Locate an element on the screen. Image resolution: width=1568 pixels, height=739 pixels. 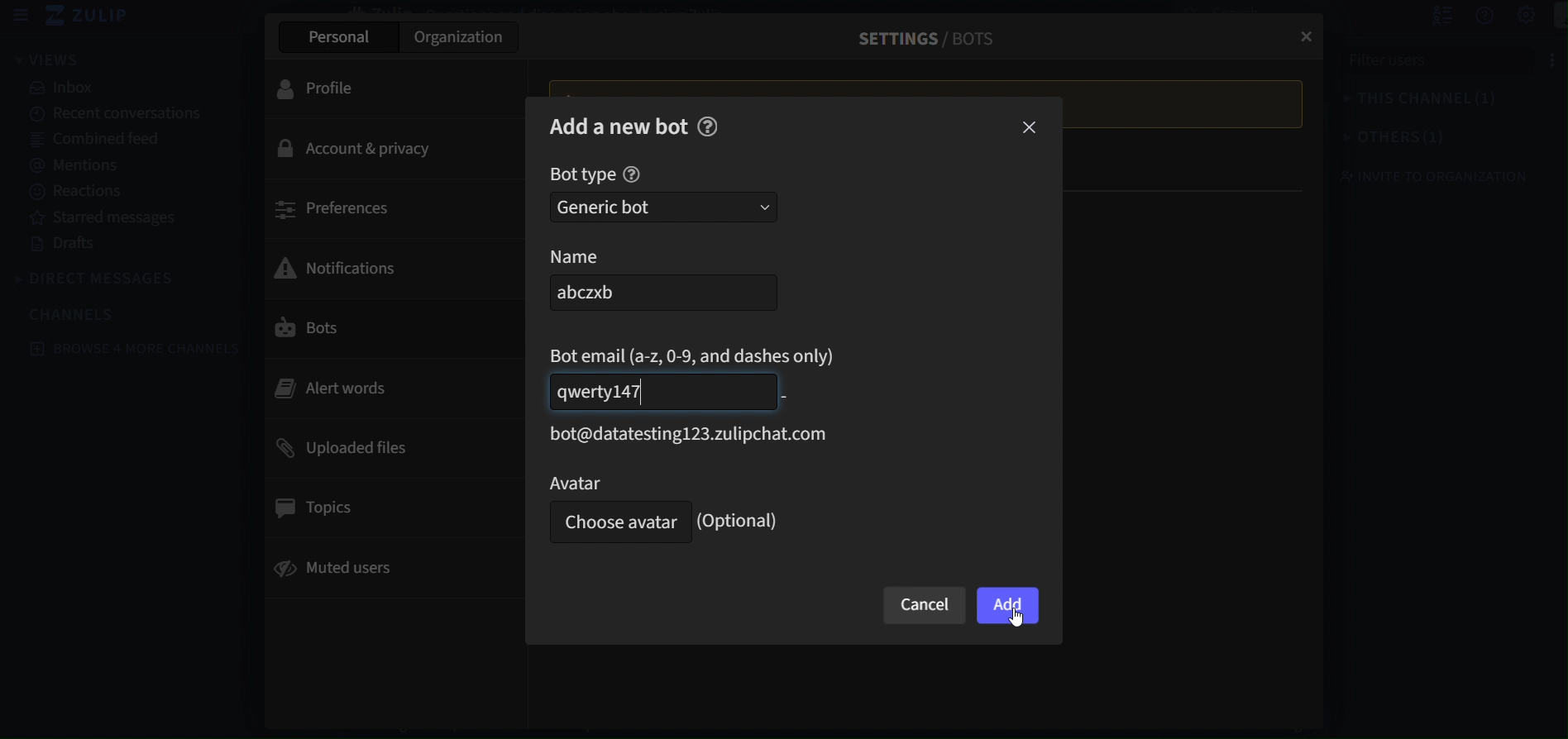
alert words is located at coordinates (380, 388).